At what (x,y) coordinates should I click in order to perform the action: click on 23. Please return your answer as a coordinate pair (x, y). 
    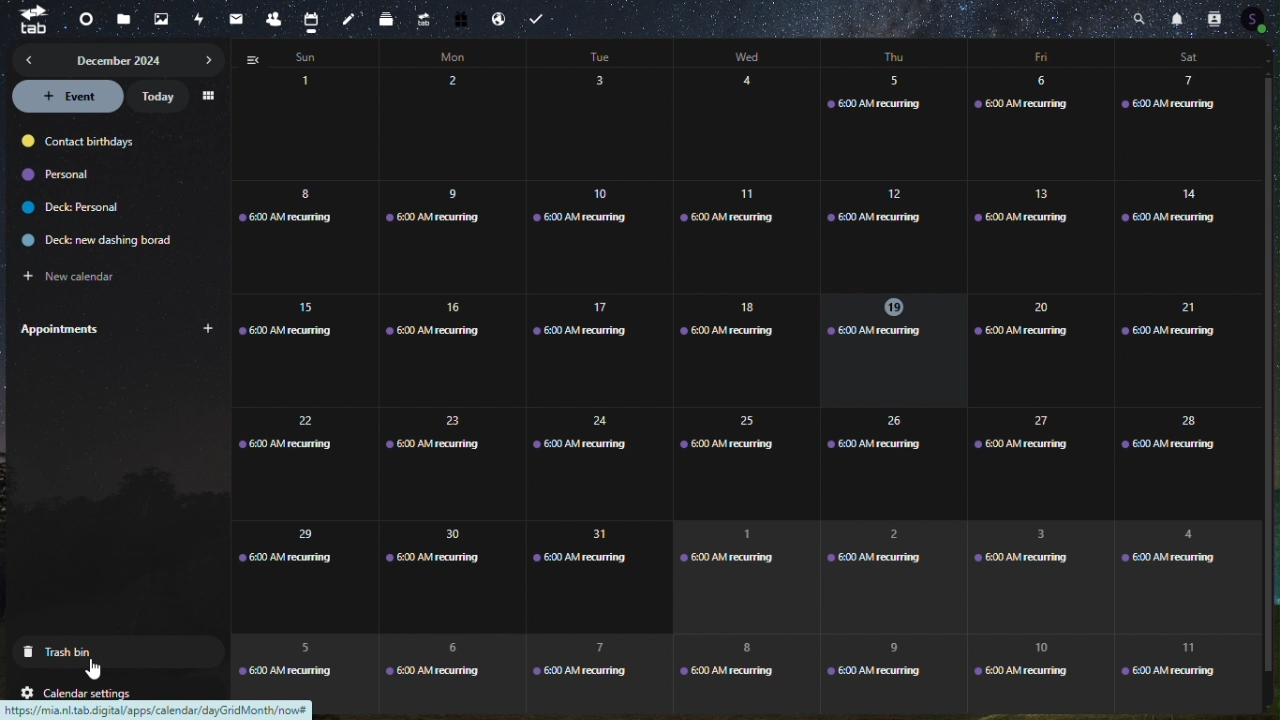
    Looking at the image, I should click on (444, 459).